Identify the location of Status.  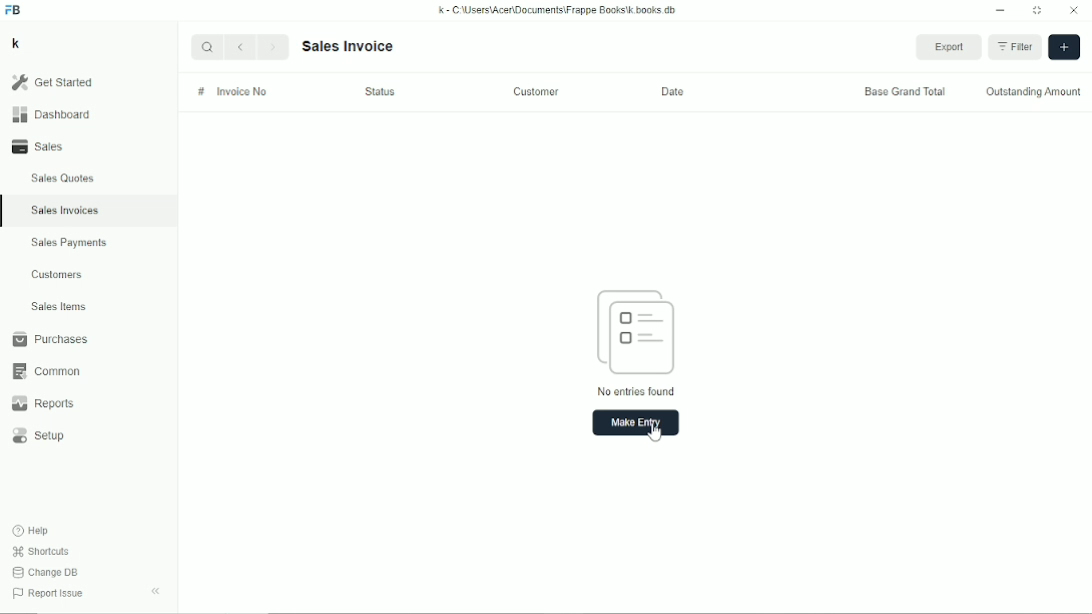
(379, 91).